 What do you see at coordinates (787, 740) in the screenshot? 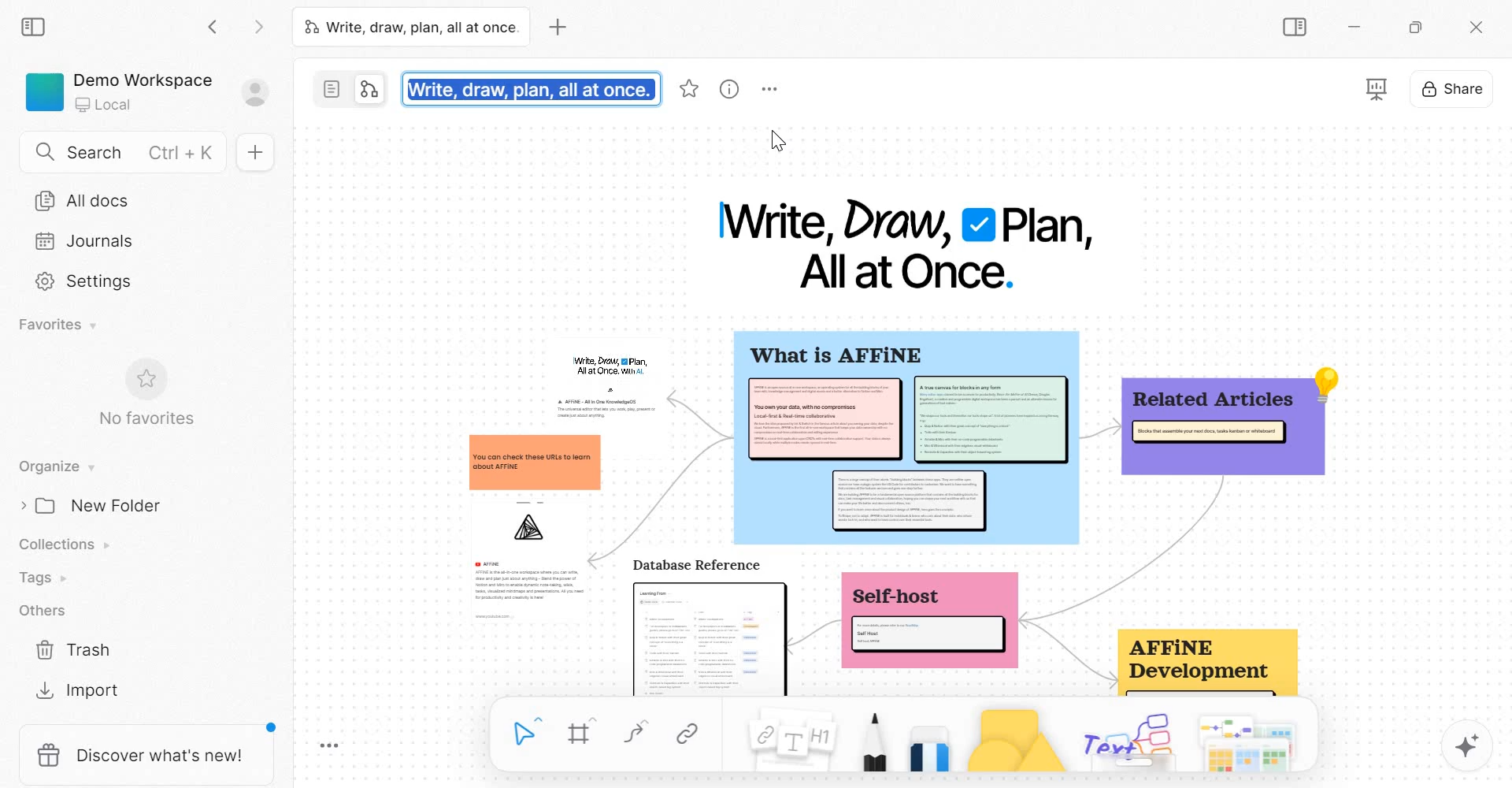
I see `Note` at bounding box center [787, 740].